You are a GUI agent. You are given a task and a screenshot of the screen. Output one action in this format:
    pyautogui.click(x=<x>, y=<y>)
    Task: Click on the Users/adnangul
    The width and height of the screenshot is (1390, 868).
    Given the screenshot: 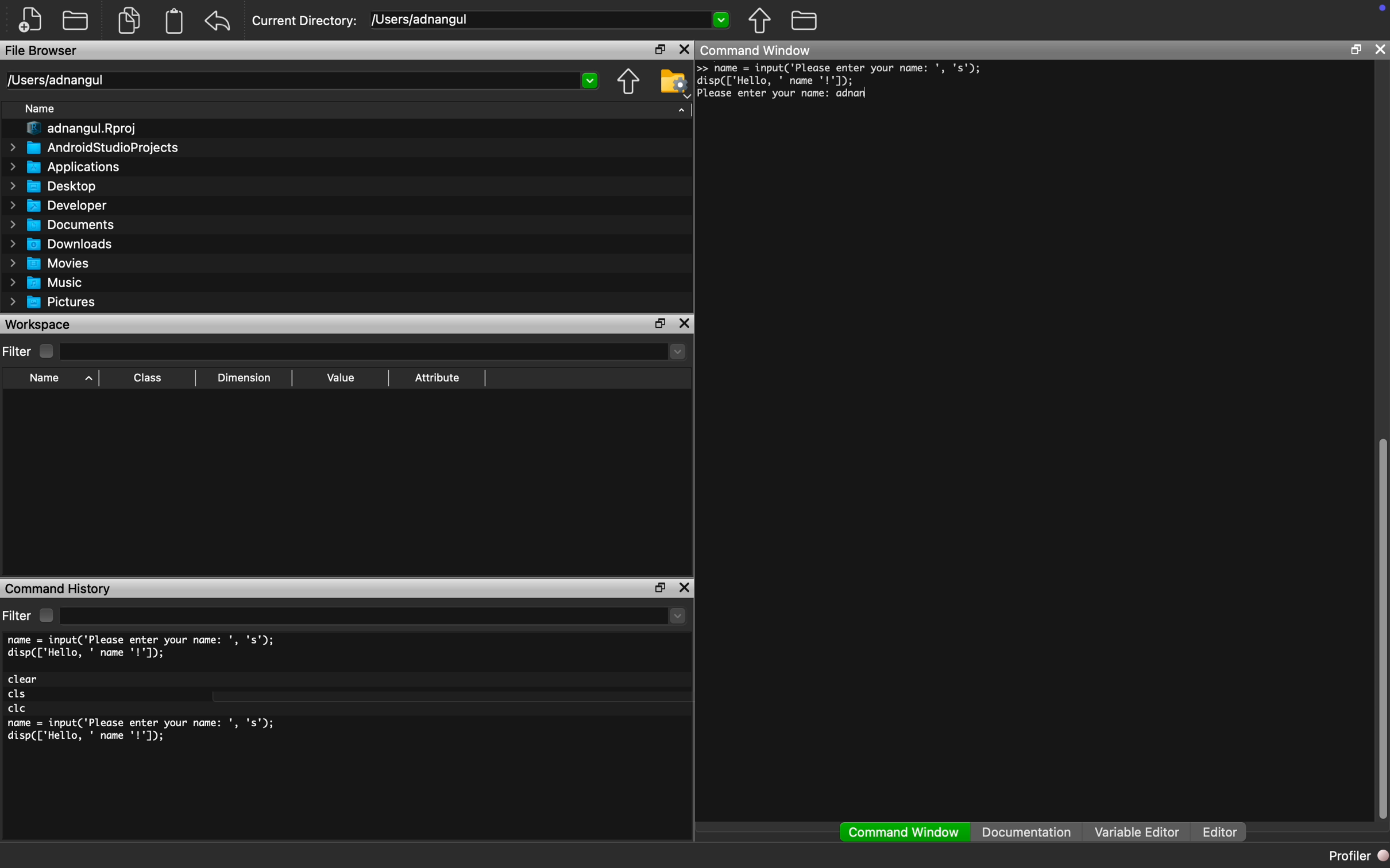 What is the action you would take?
    pyautogui.click(x=55, y=80)
    